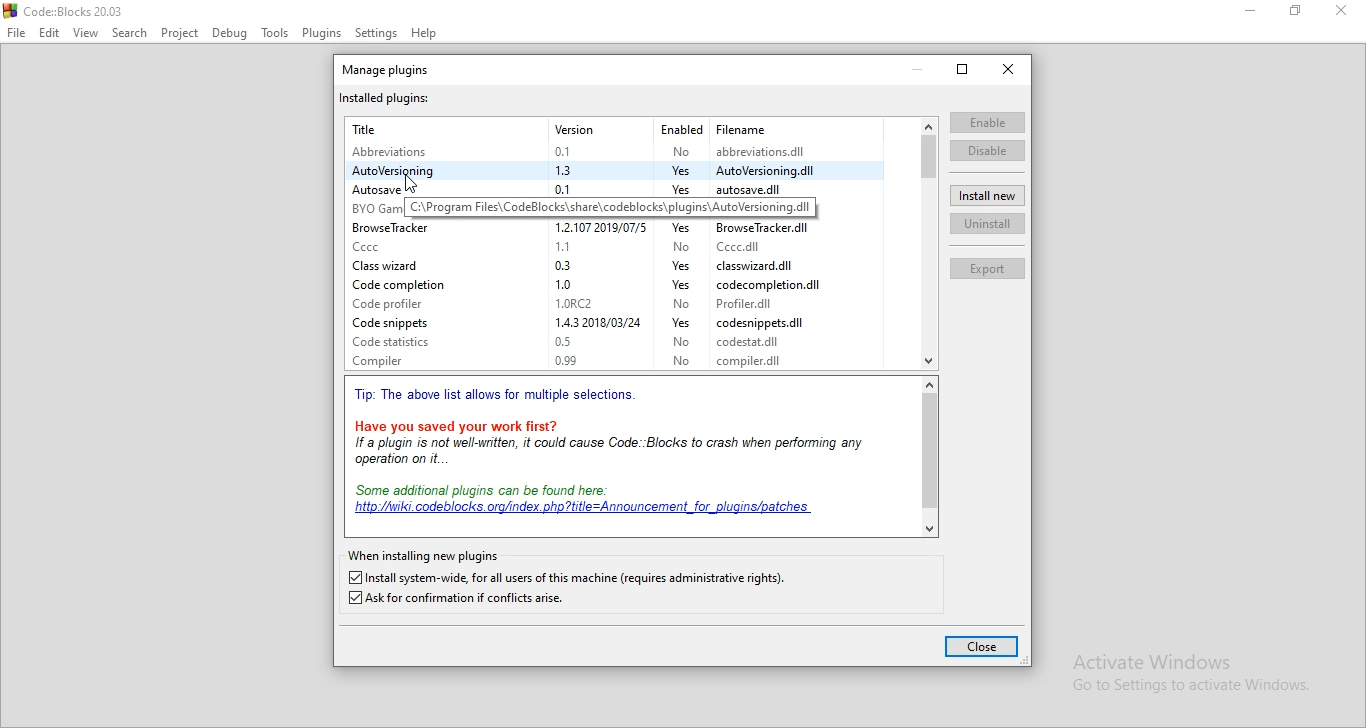  I want to click on Scroll down, so click(930, 362).